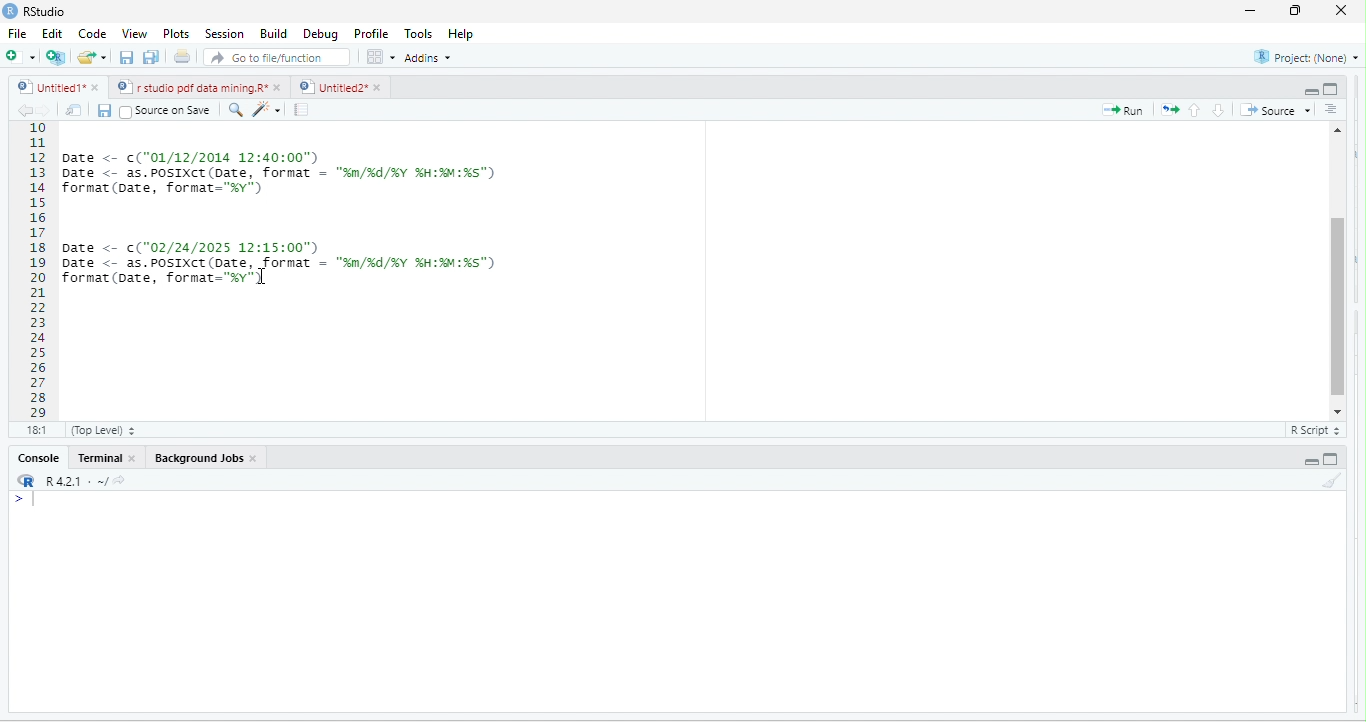  Describe the element at coordinates (181, 59) in the screenshot. I see `print the current file` at that location.